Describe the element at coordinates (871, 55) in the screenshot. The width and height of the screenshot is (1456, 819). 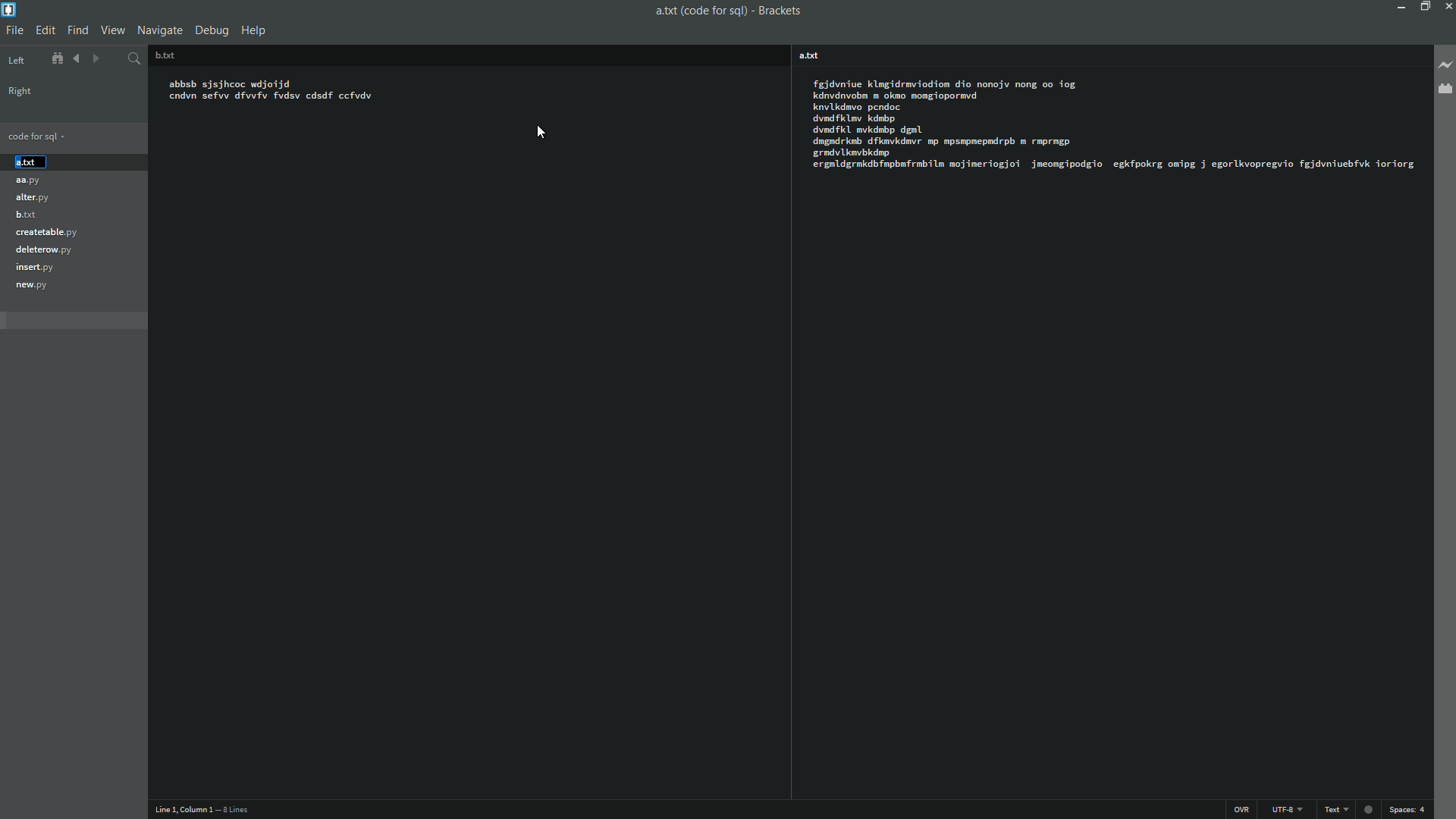
I see `Open a file while this pane has focus` at that location.